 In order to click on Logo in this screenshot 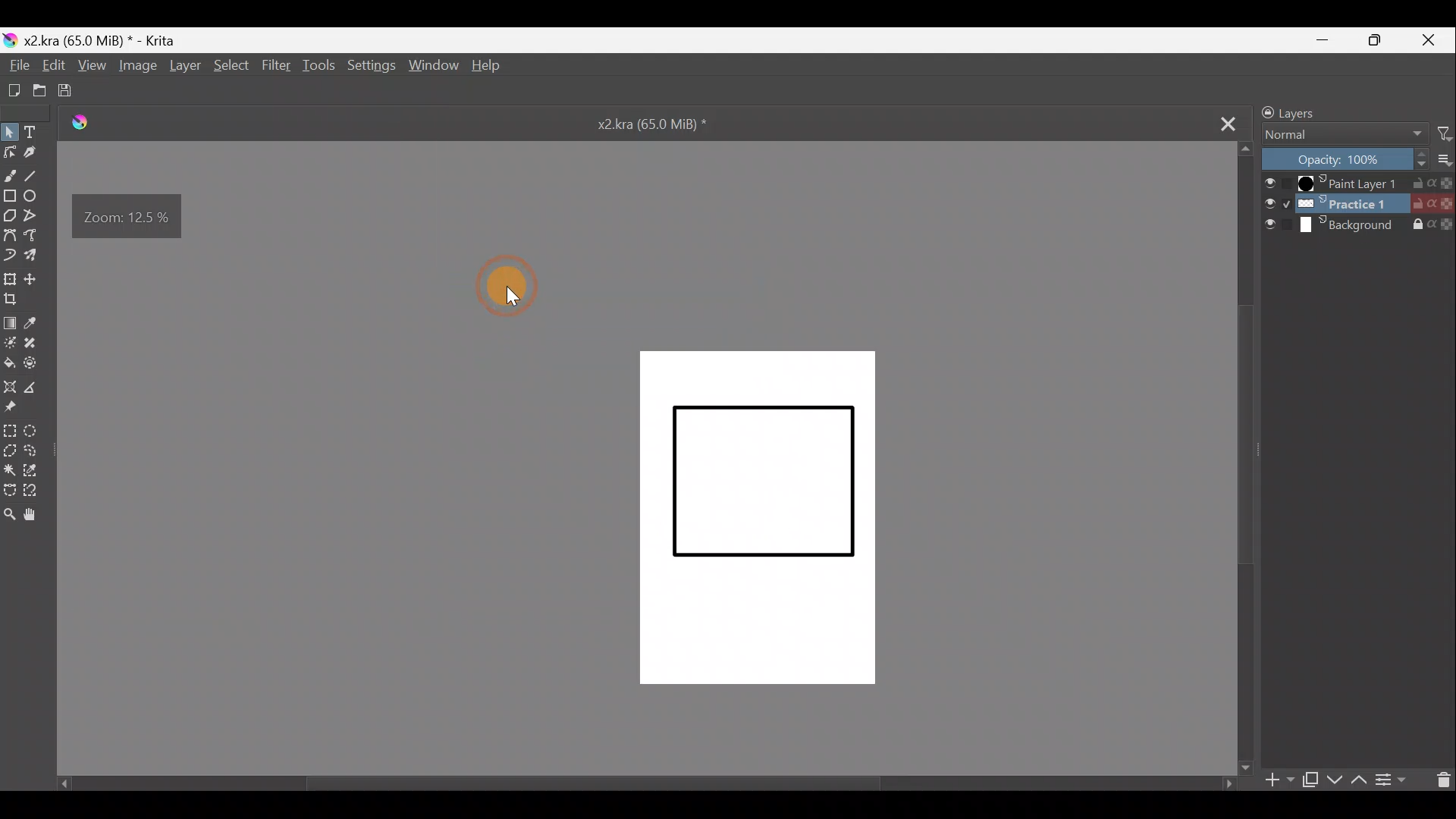, I will do `click(83, 126)`.